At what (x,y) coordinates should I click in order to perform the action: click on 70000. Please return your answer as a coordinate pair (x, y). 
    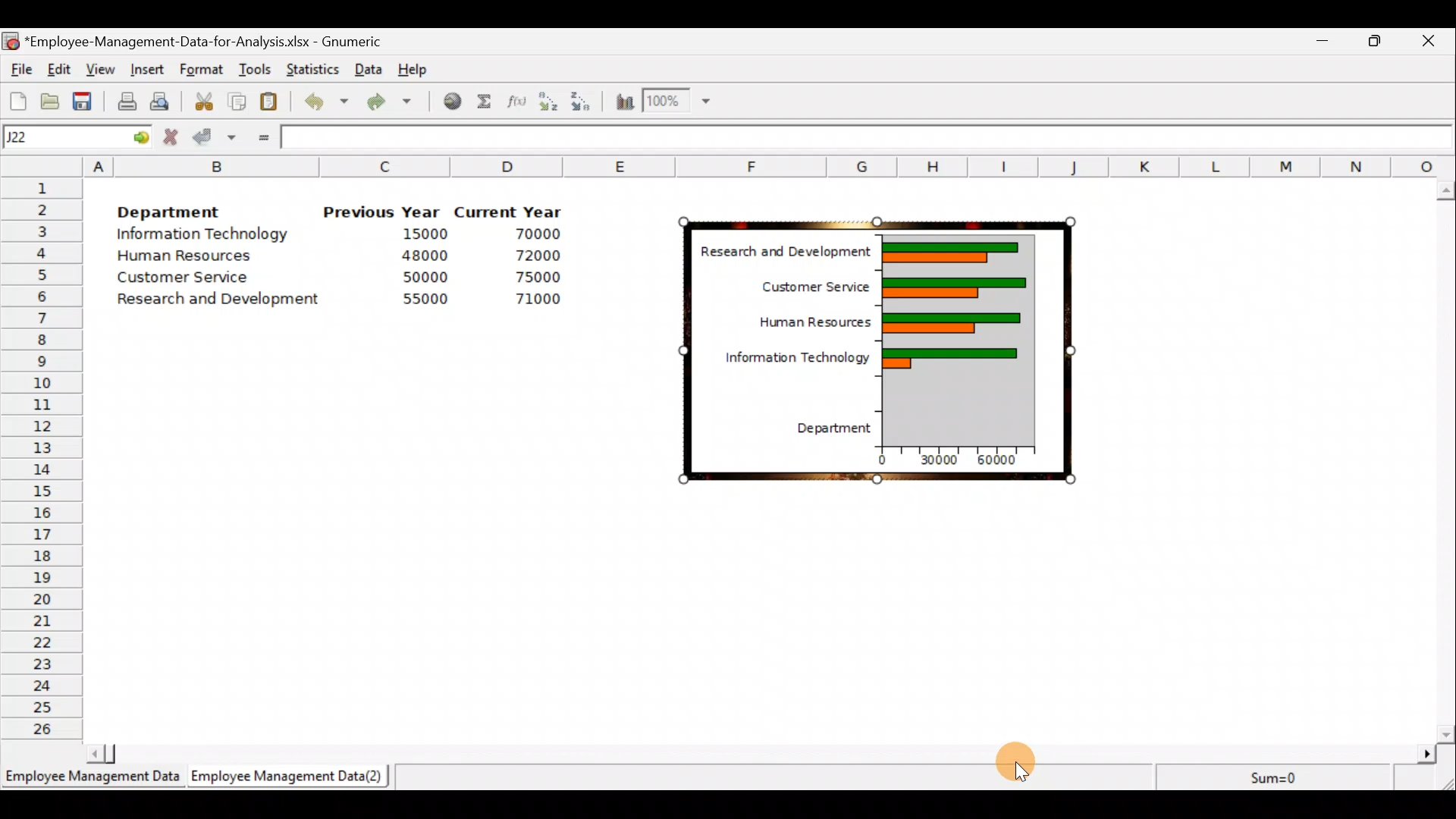
    Looking at the image, I should click on (538, 233).